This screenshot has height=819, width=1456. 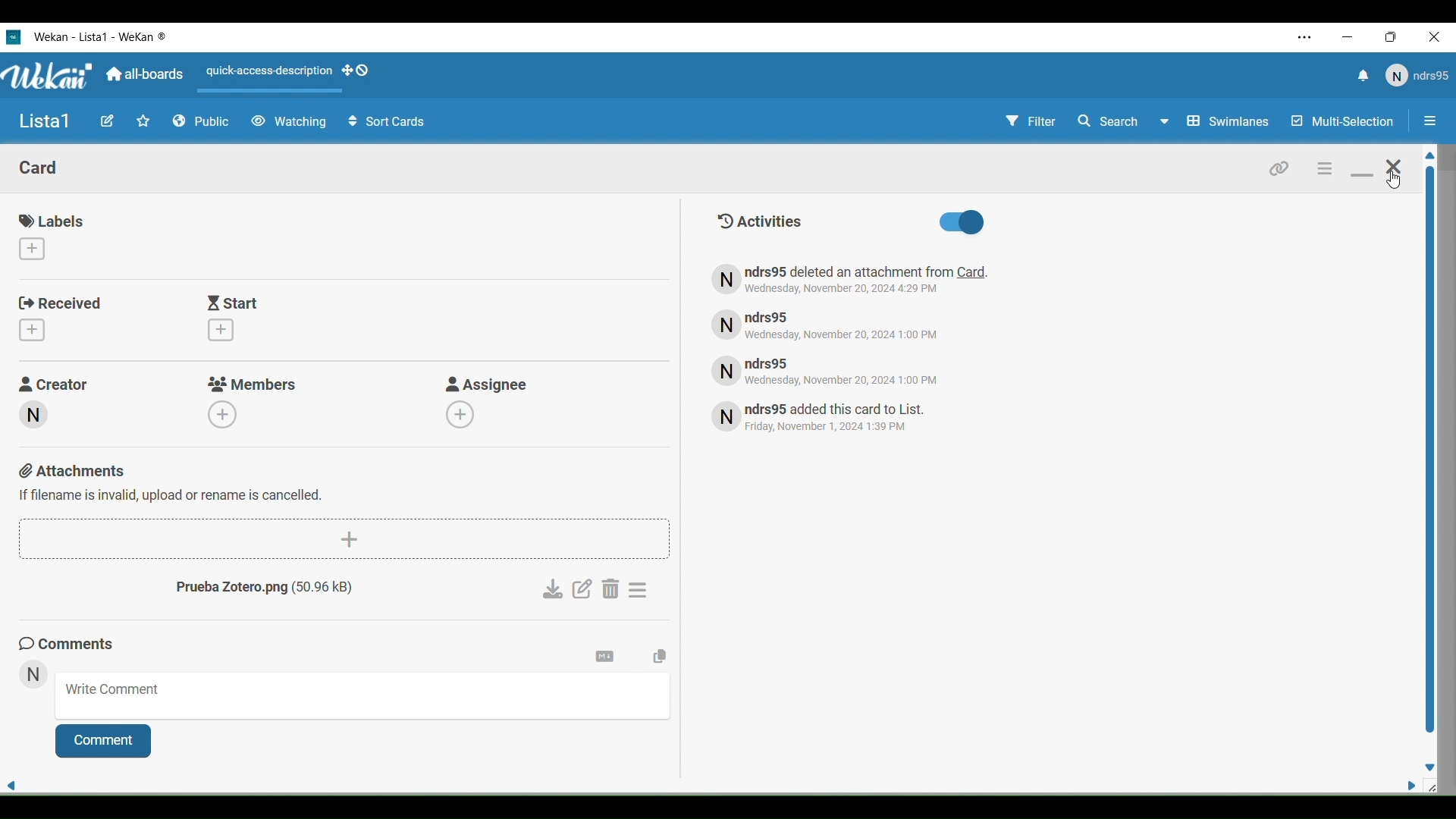 What do you see at coordinates (1427, 123) in the screenshot?
I see `Option` at bounding box center [1427, 123].